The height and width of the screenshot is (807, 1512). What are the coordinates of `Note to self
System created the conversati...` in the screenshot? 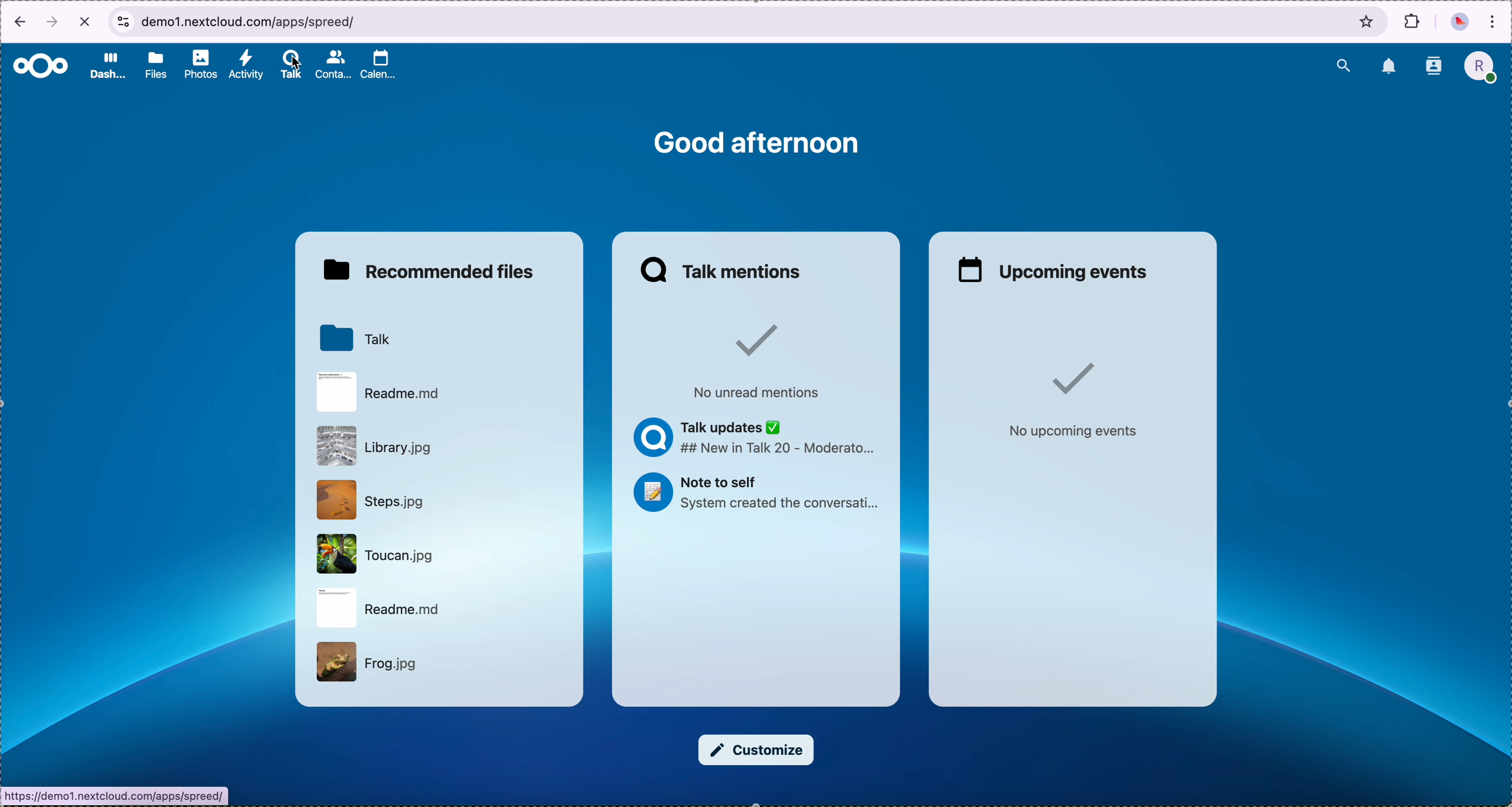 It's located at (758, 494).